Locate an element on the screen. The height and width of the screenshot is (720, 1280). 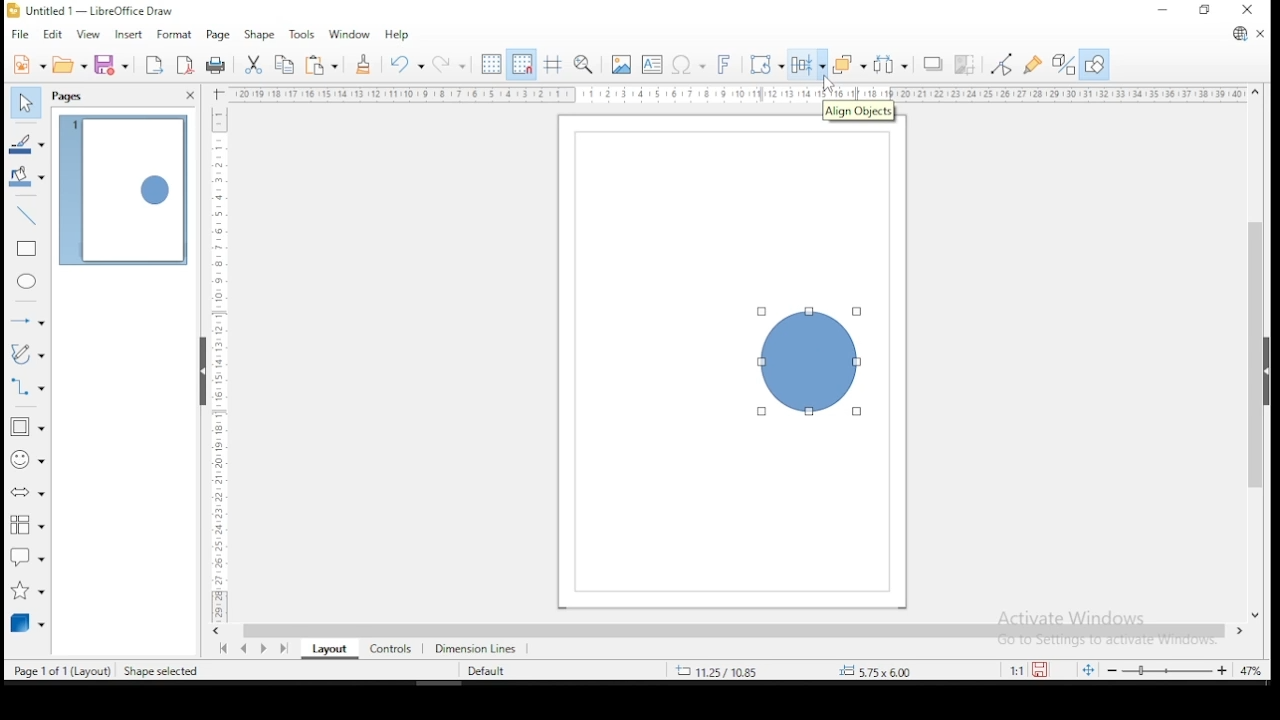
3D objects is located at coordinates (27, 622).